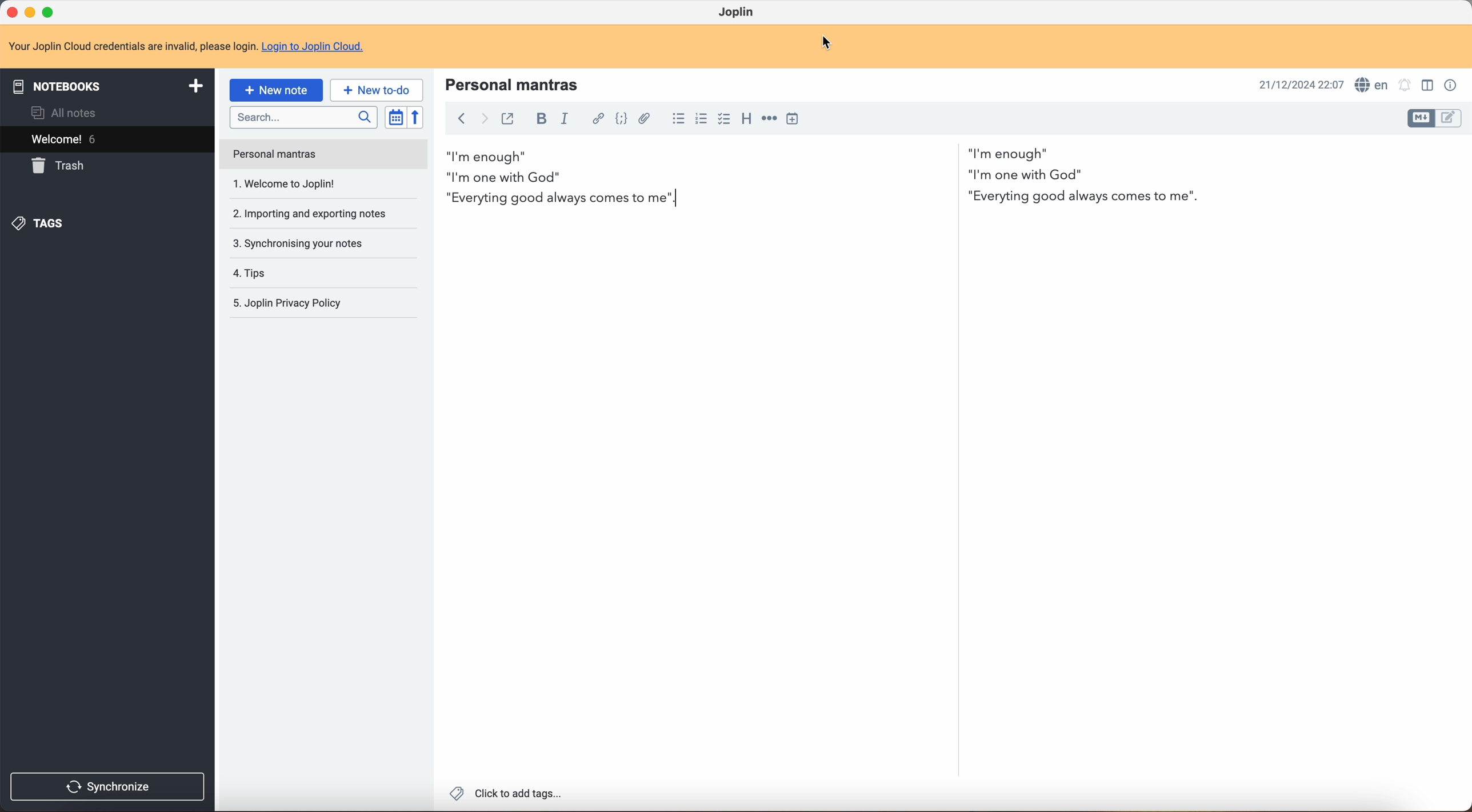  Describe the element at coordinates (61, 166) in the screenshot. I see `trash` at that location.